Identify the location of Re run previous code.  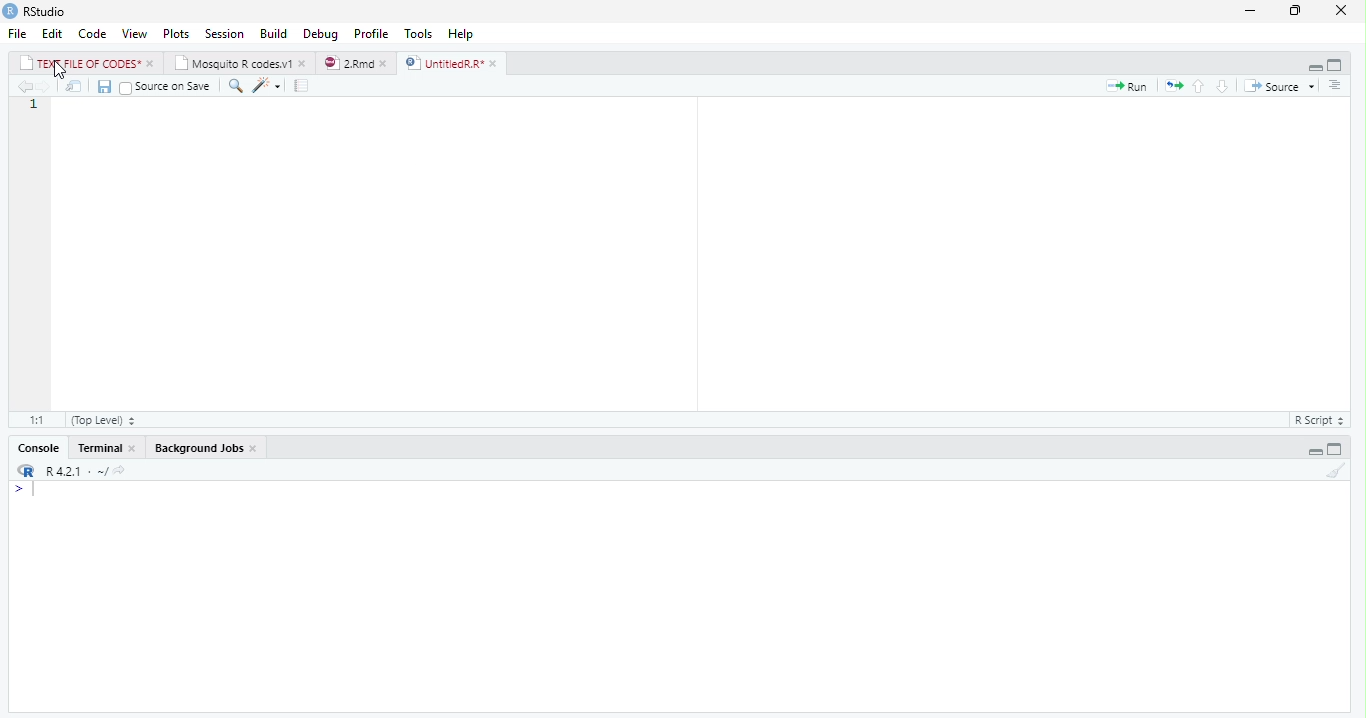
(1173, 86).